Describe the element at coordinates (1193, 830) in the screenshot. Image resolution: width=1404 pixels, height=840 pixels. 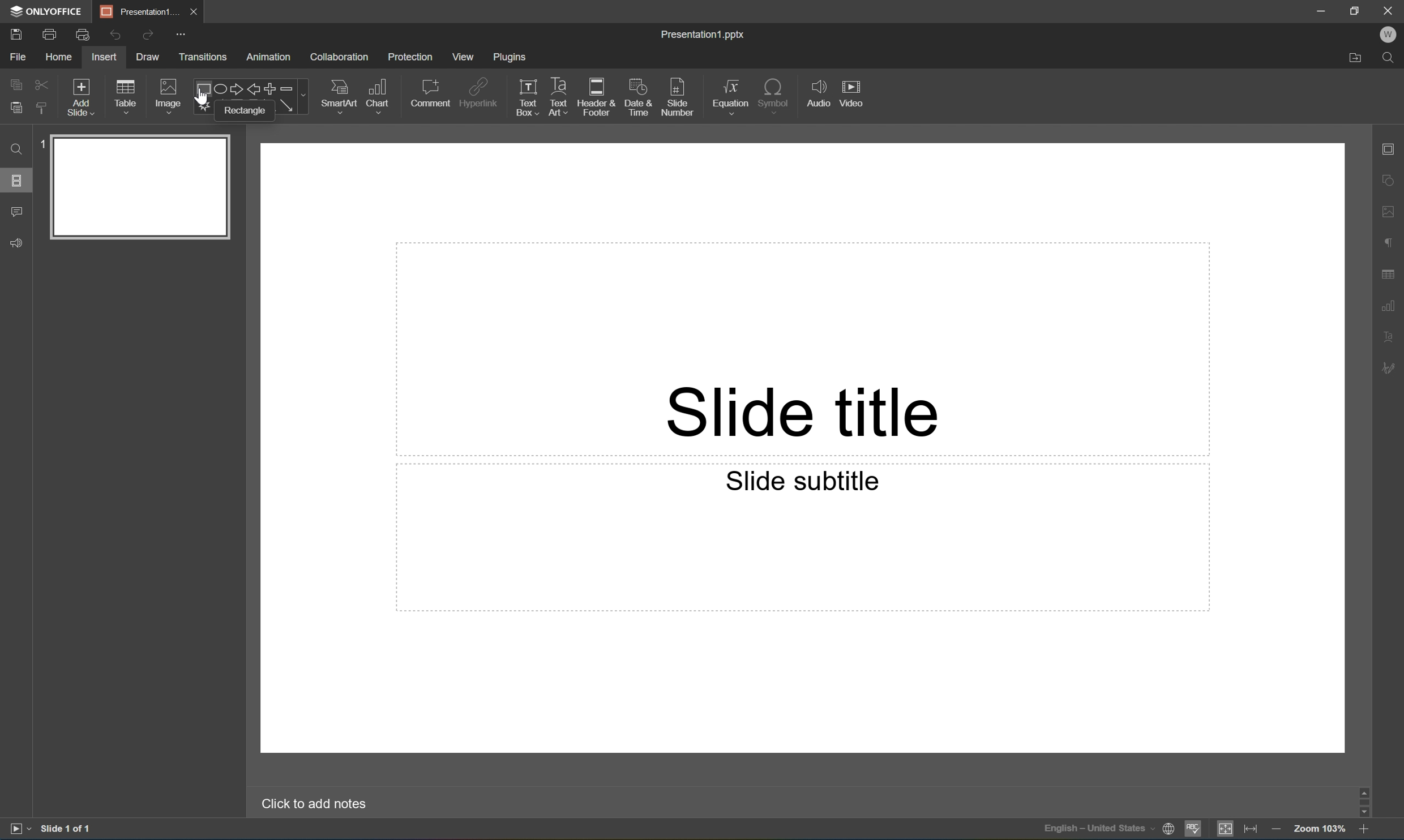
I see `Spell checking` at that location.